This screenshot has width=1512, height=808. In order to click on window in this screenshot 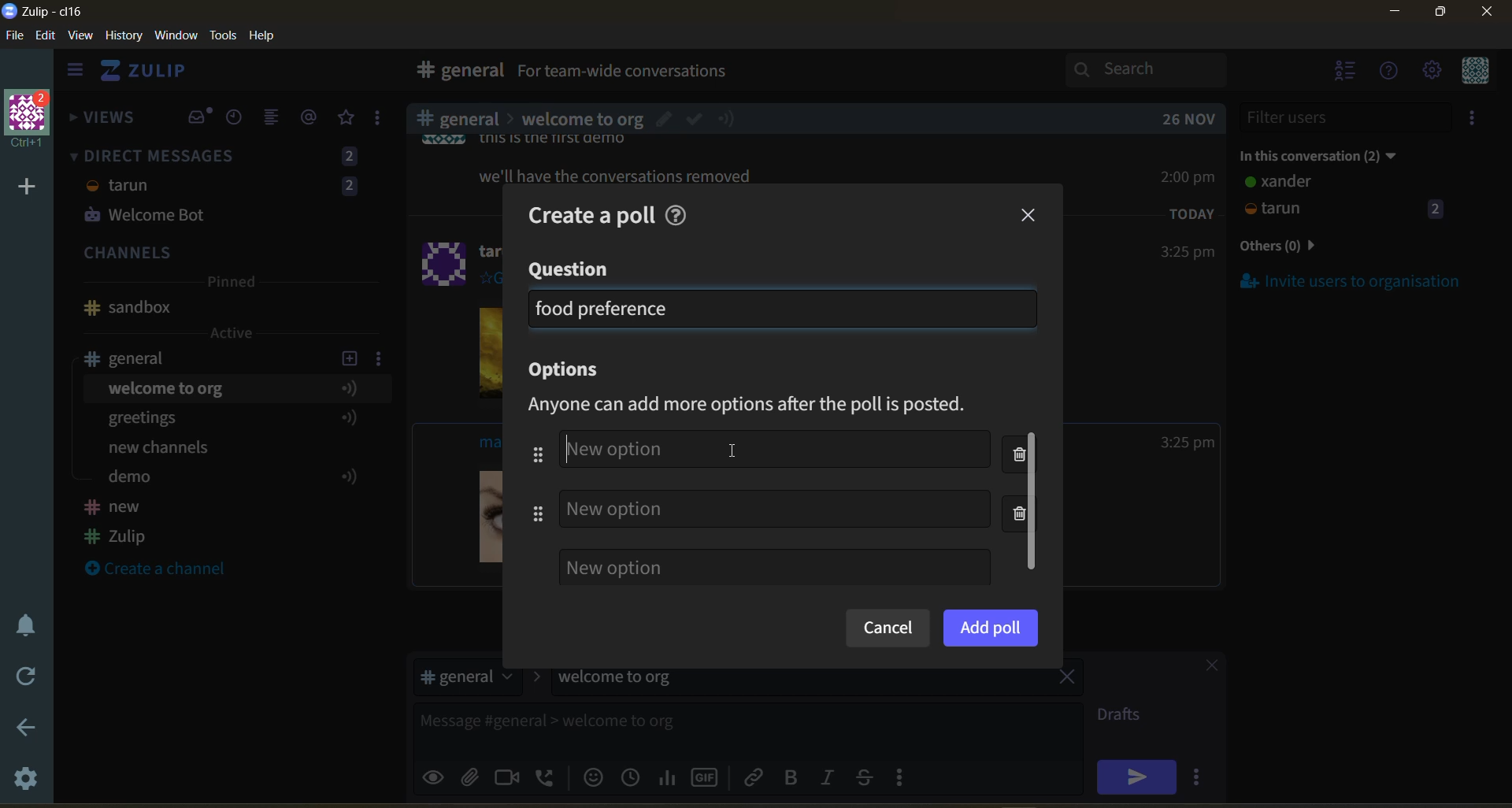, I will do `click(174, 36)`.